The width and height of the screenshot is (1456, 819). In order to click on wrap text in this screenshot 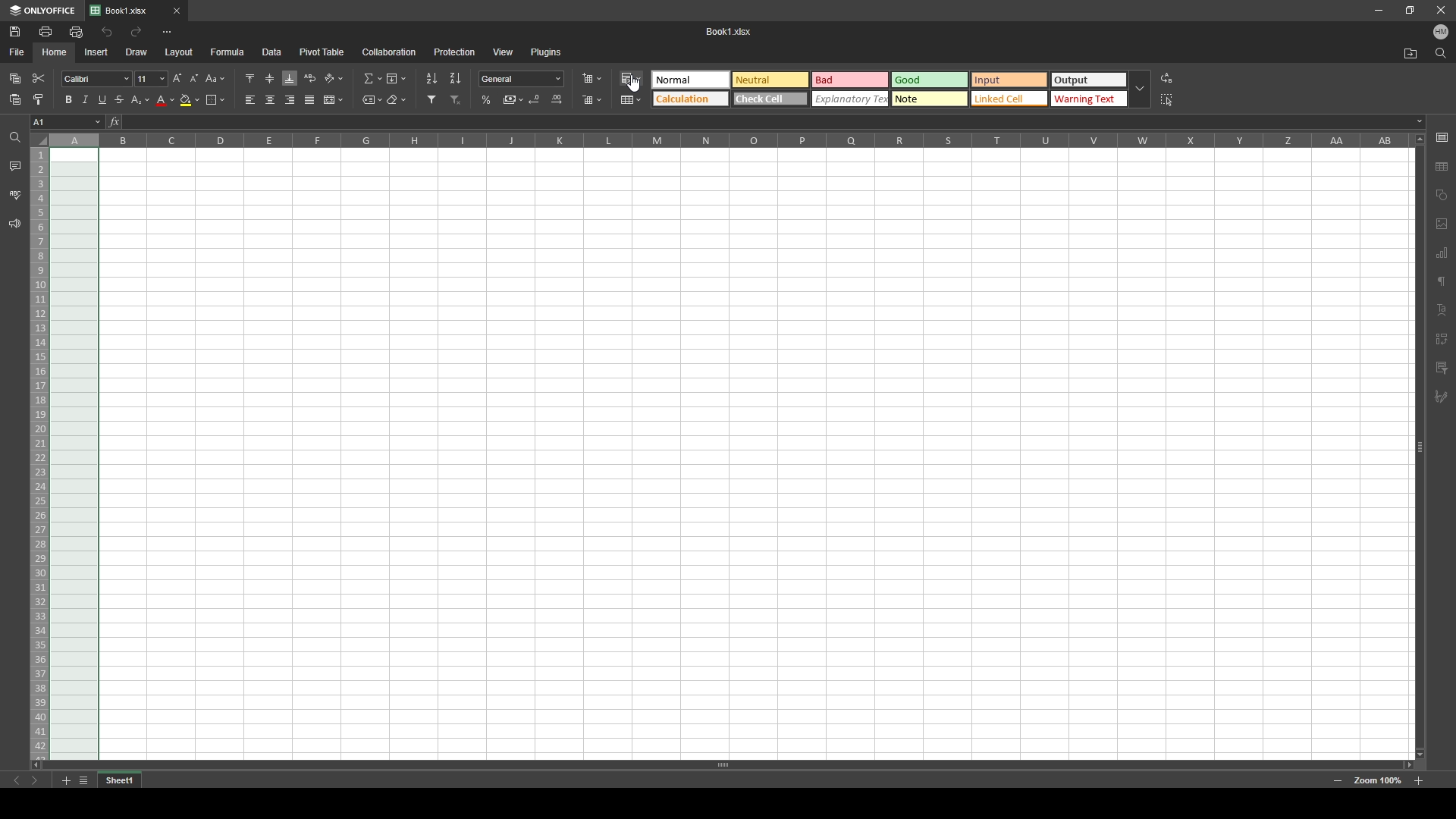, I will do `click(311, 77)`.